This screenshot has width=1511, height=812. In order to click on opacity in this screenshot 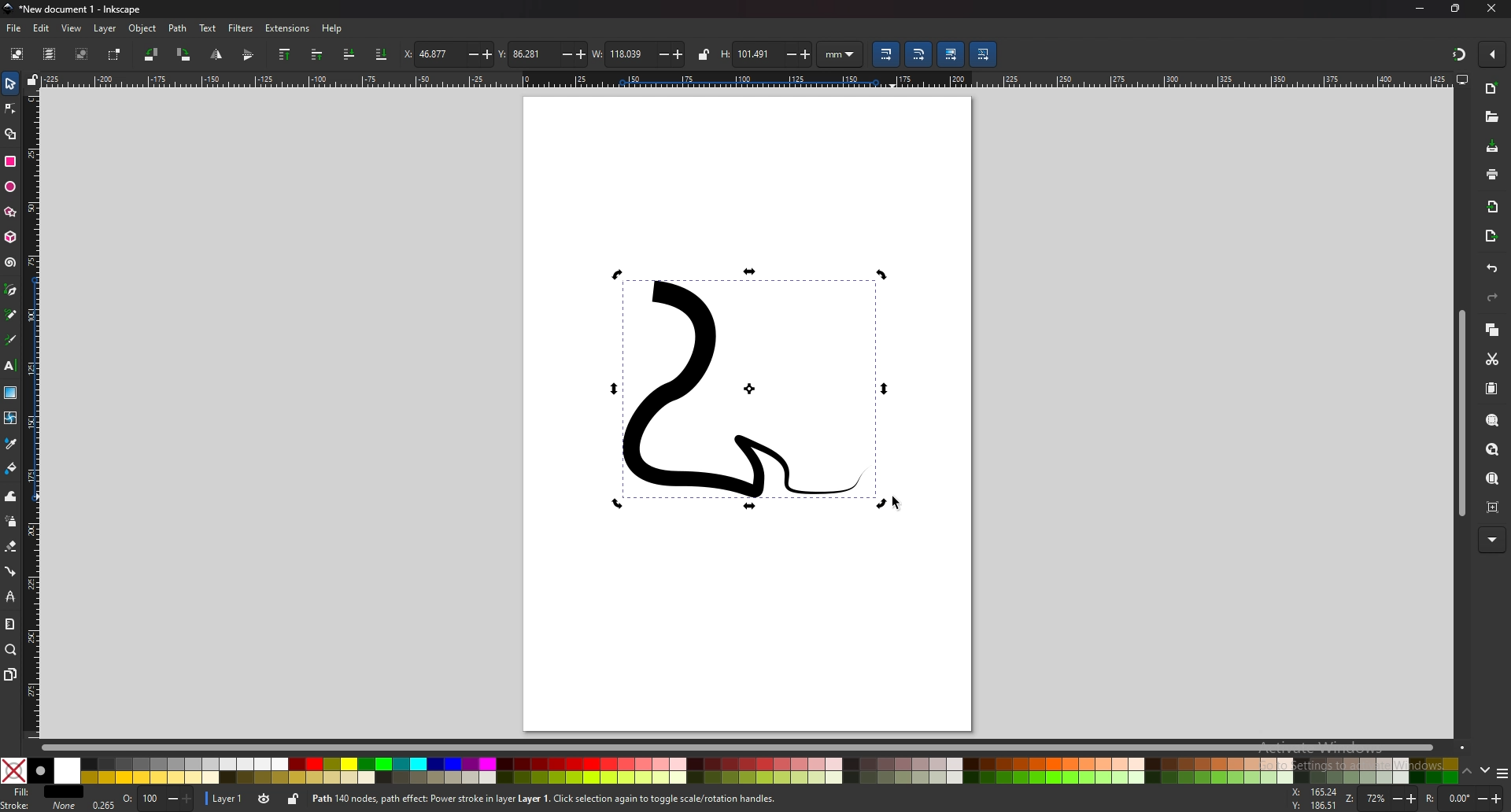, I will do `click(142, 799)`.